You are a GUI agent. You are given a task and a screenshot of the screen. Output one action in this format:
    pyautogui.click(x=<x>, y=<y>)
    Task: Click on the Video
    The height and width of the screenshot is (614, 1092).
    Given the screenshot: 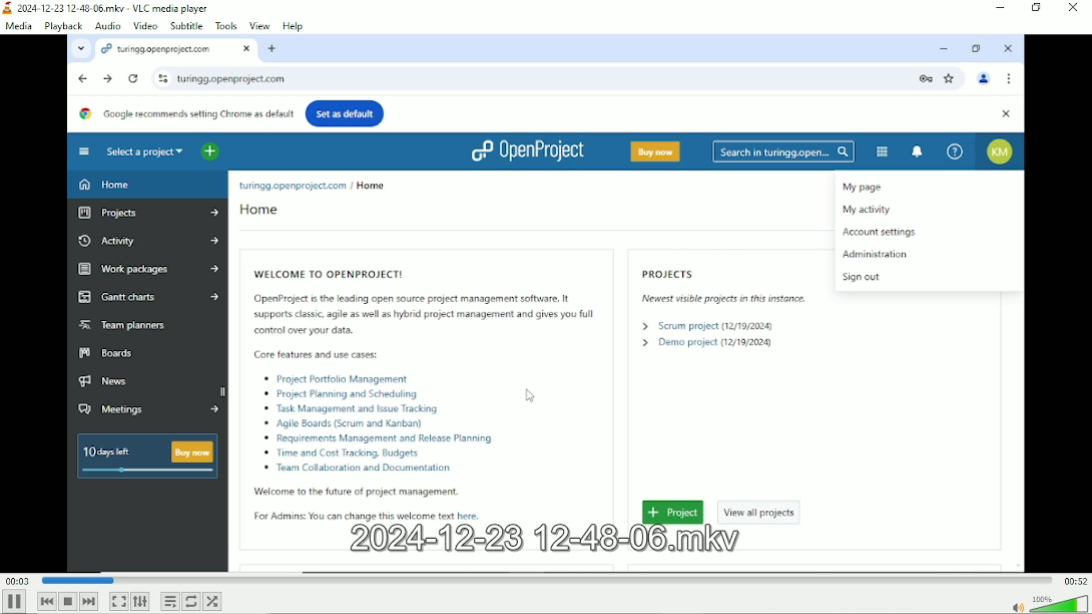 What is the action you would take?
    pyautogui.click(x=145, y=25)
    